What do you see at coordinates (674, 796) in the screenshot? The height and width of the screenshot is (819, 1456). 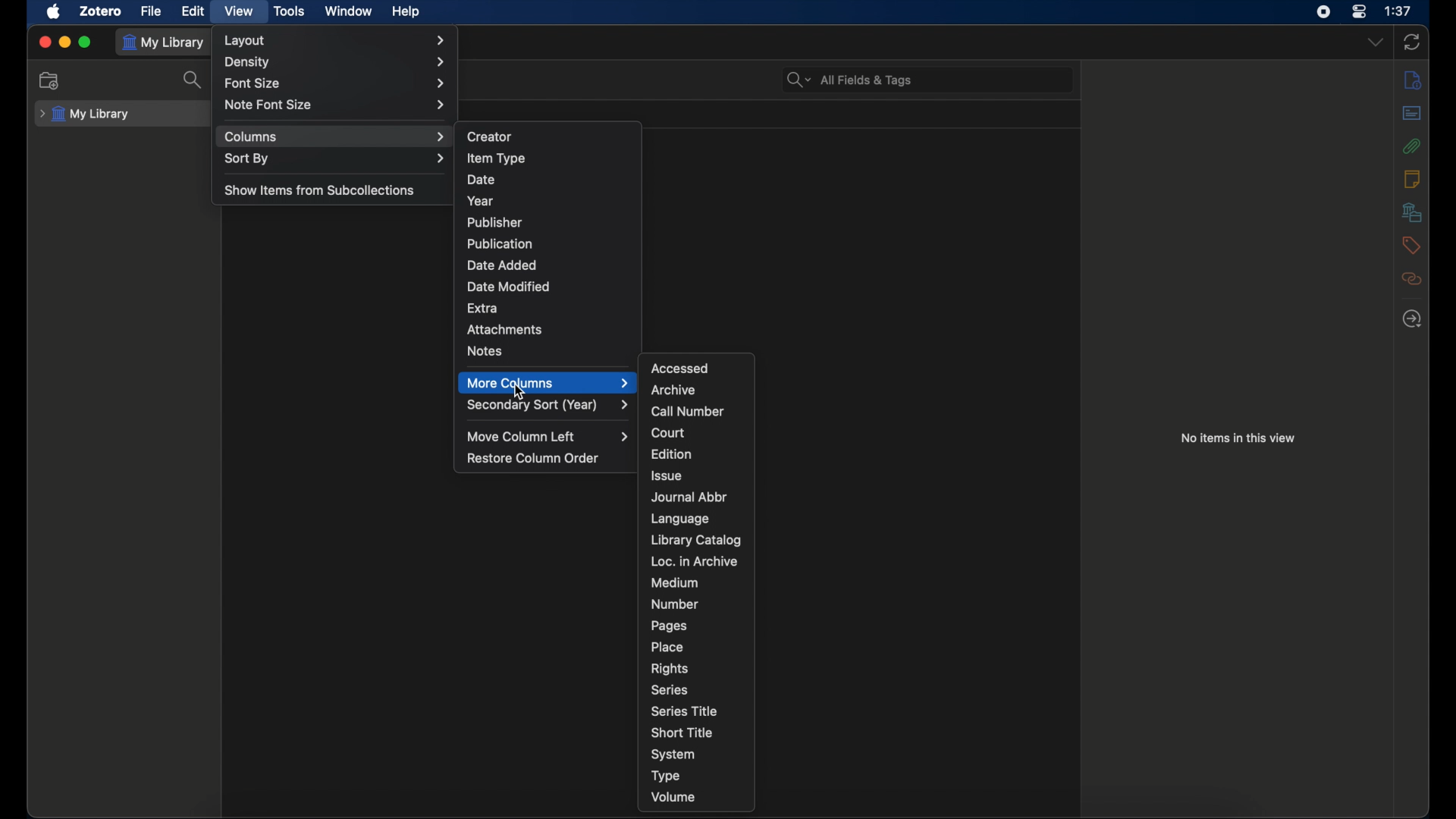 I see `volume` at bounding box center [674, 796].